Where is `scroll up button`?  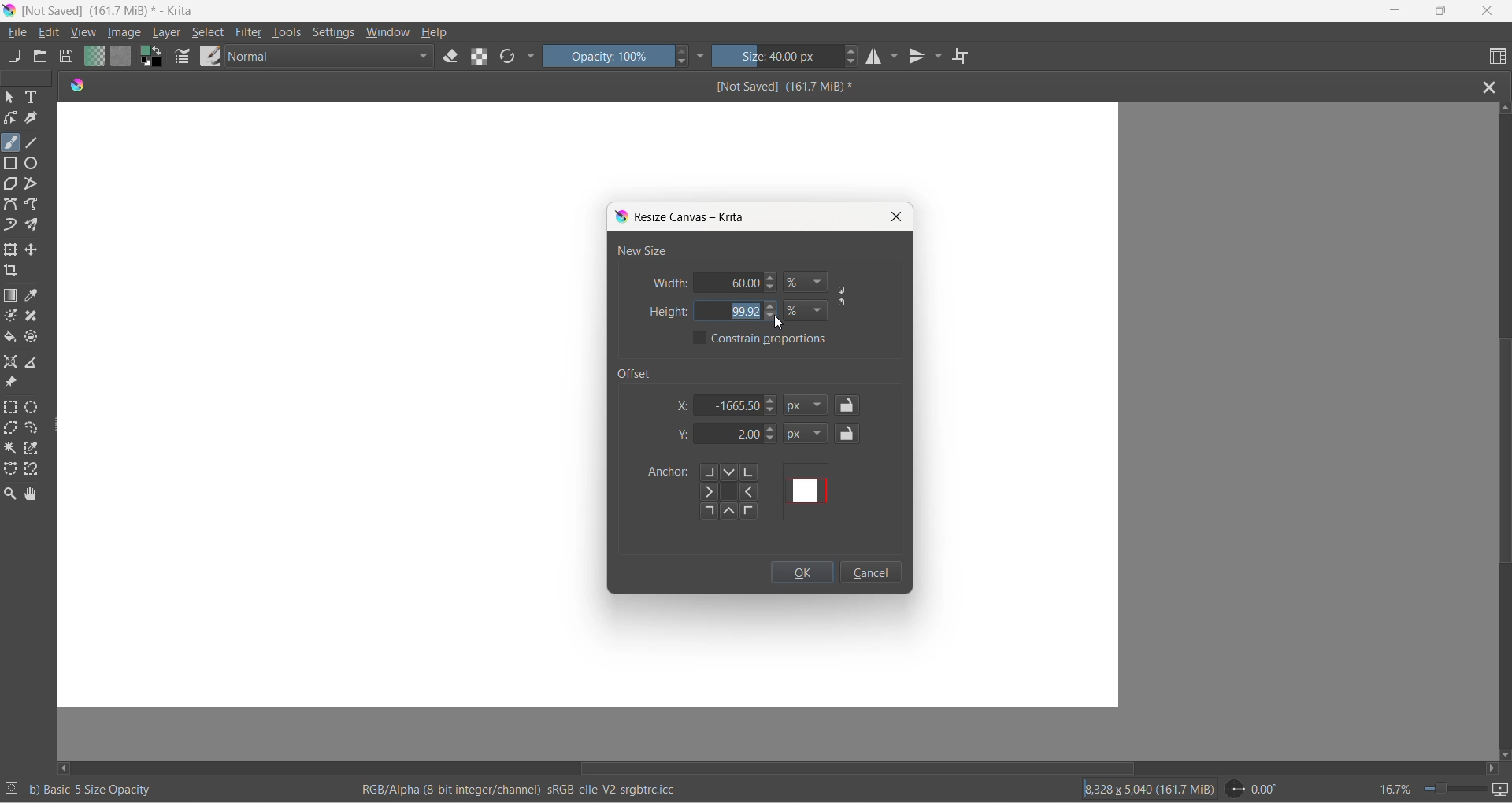
scroll up button is located at coordinates (1503, 107).